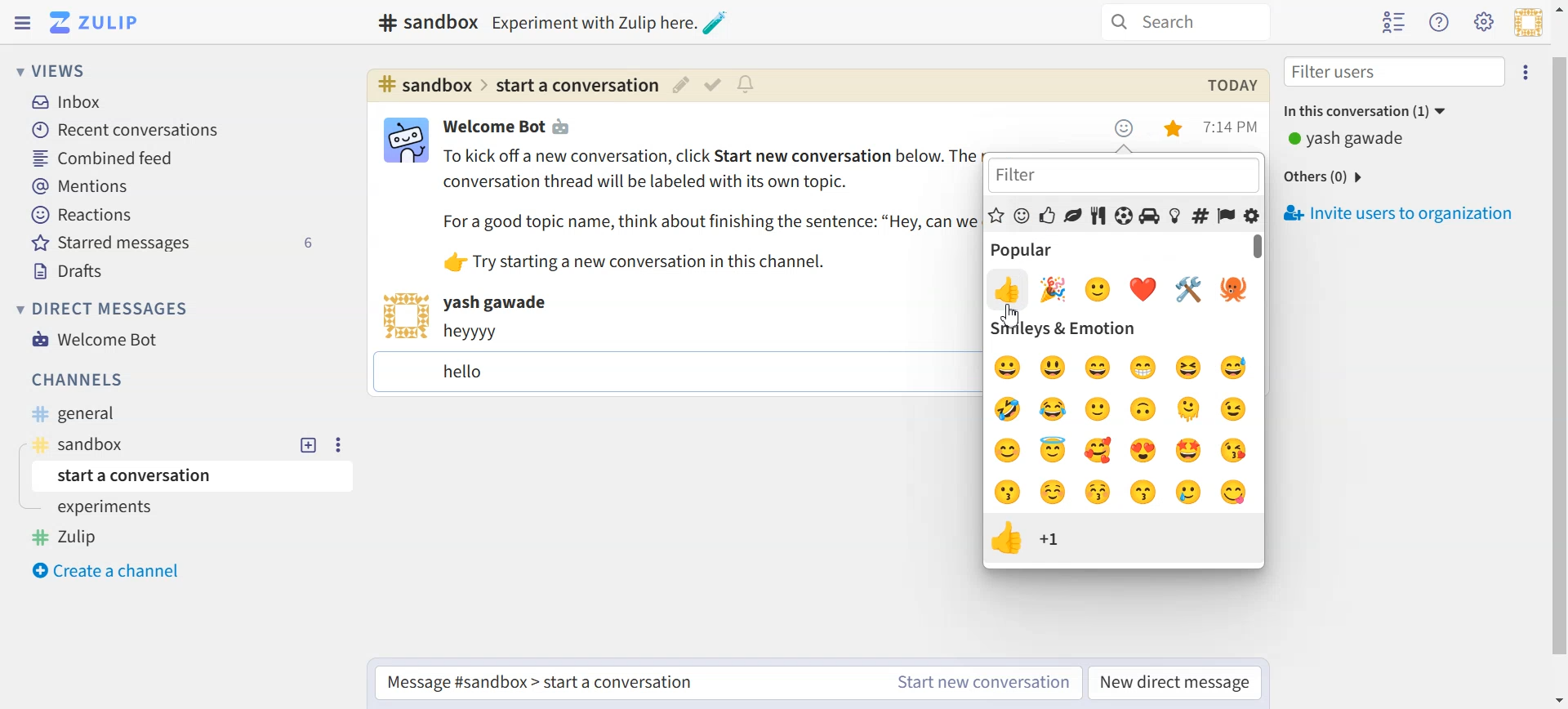  What do you see at coordinates (984, 682) in the screenshot?
I see `Start new conversation` at bounding box center [984, 682].